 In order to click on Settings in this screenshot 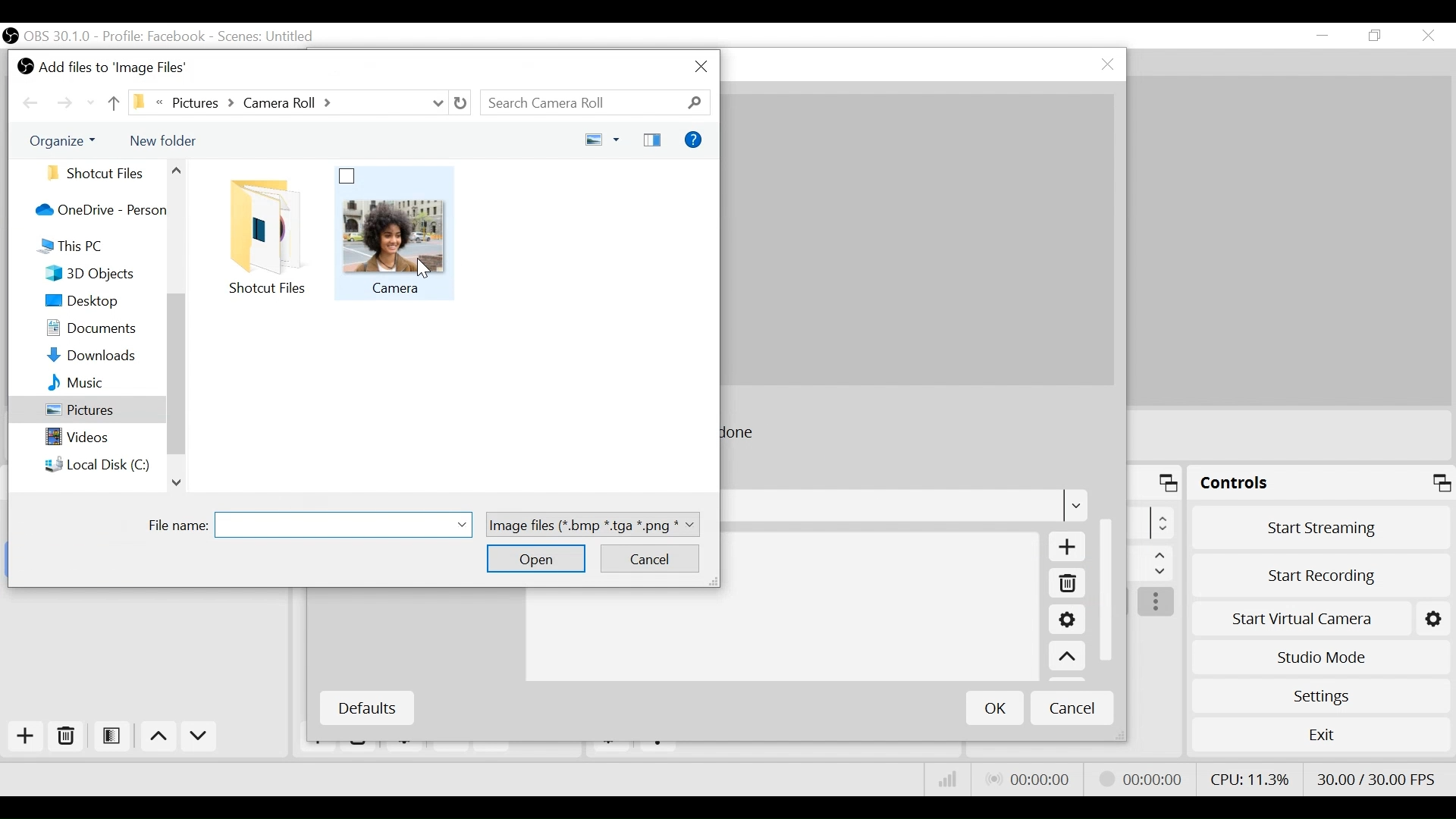, I will do `click(1320, 695)`.